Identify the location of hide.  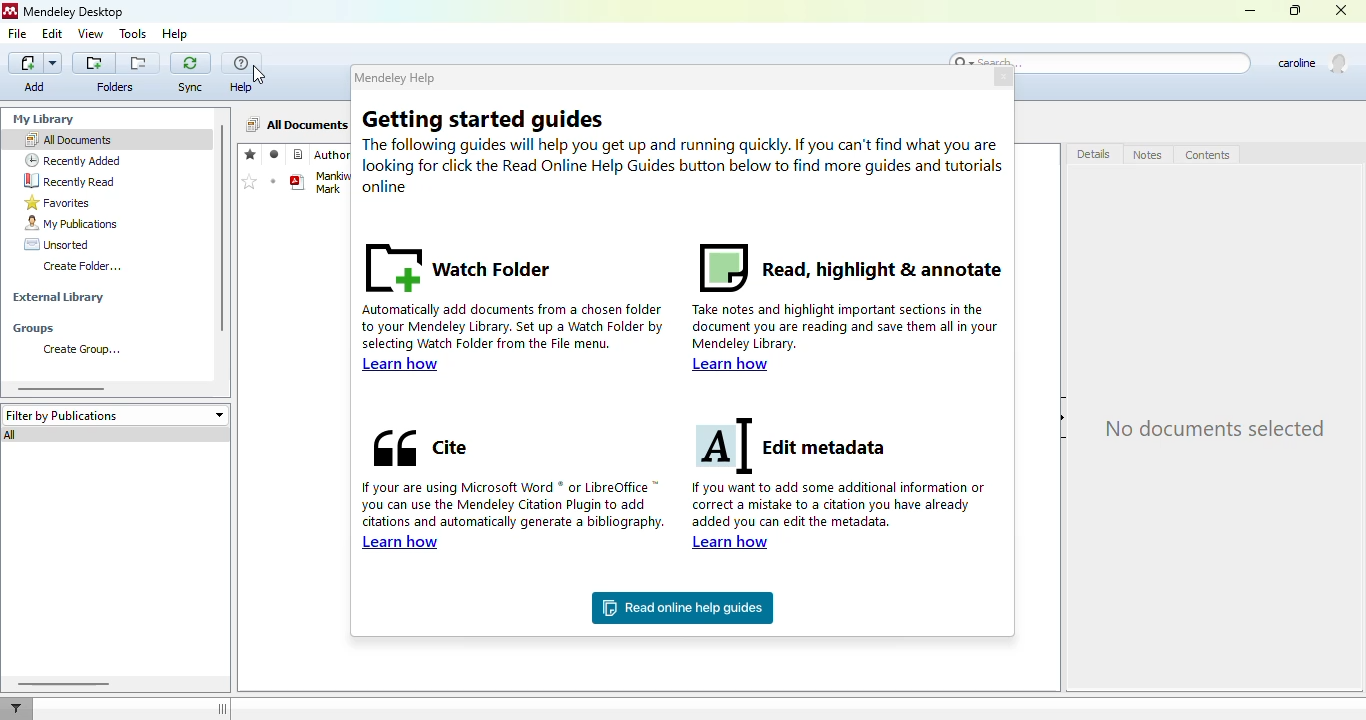
(1063, 418).